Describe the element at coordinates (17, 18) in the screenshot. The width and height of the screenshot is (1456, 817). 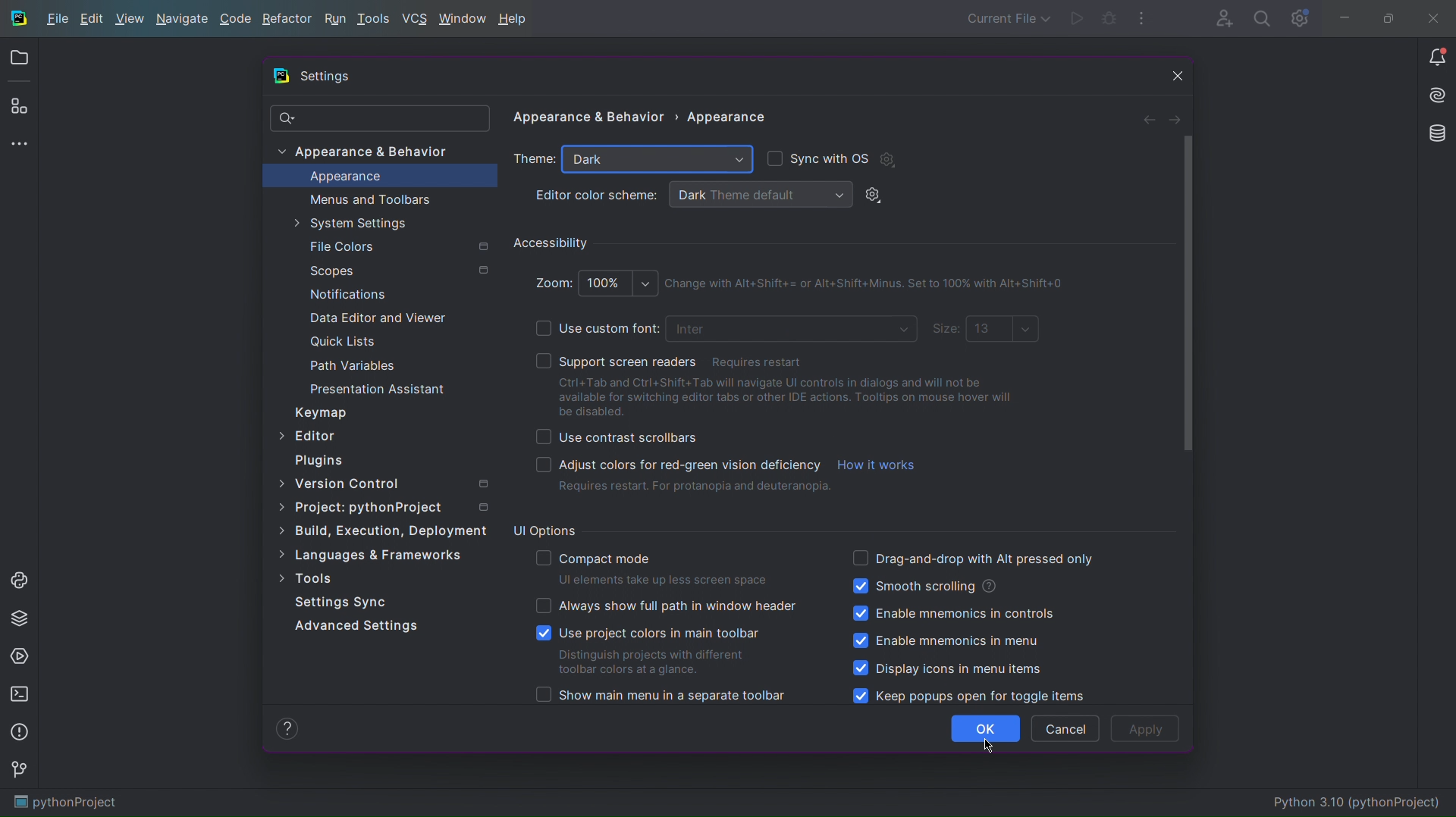
I see `Logo` at that location.